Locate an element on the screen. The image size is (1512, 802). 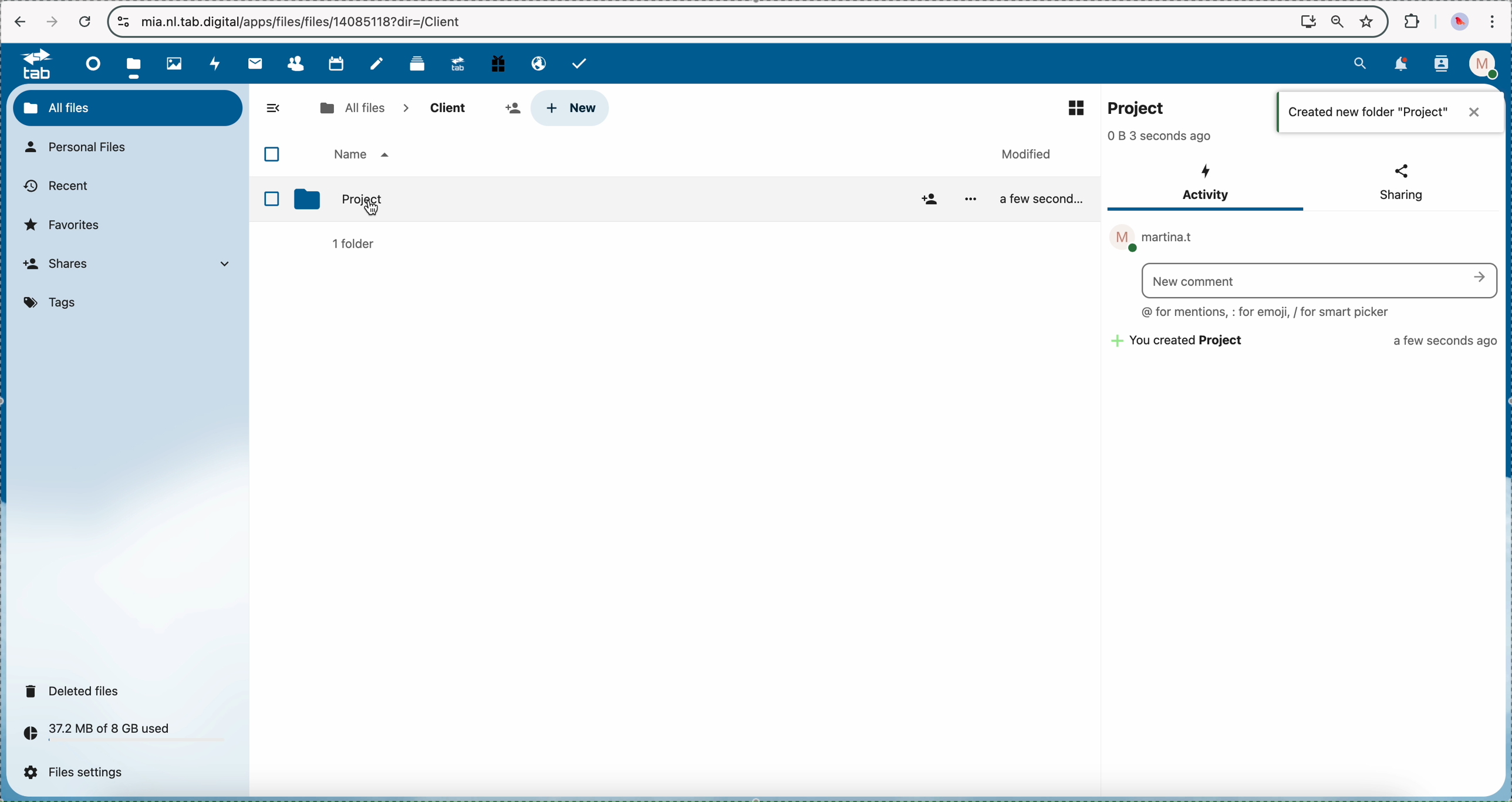
client is located at coordinates (443, 109).